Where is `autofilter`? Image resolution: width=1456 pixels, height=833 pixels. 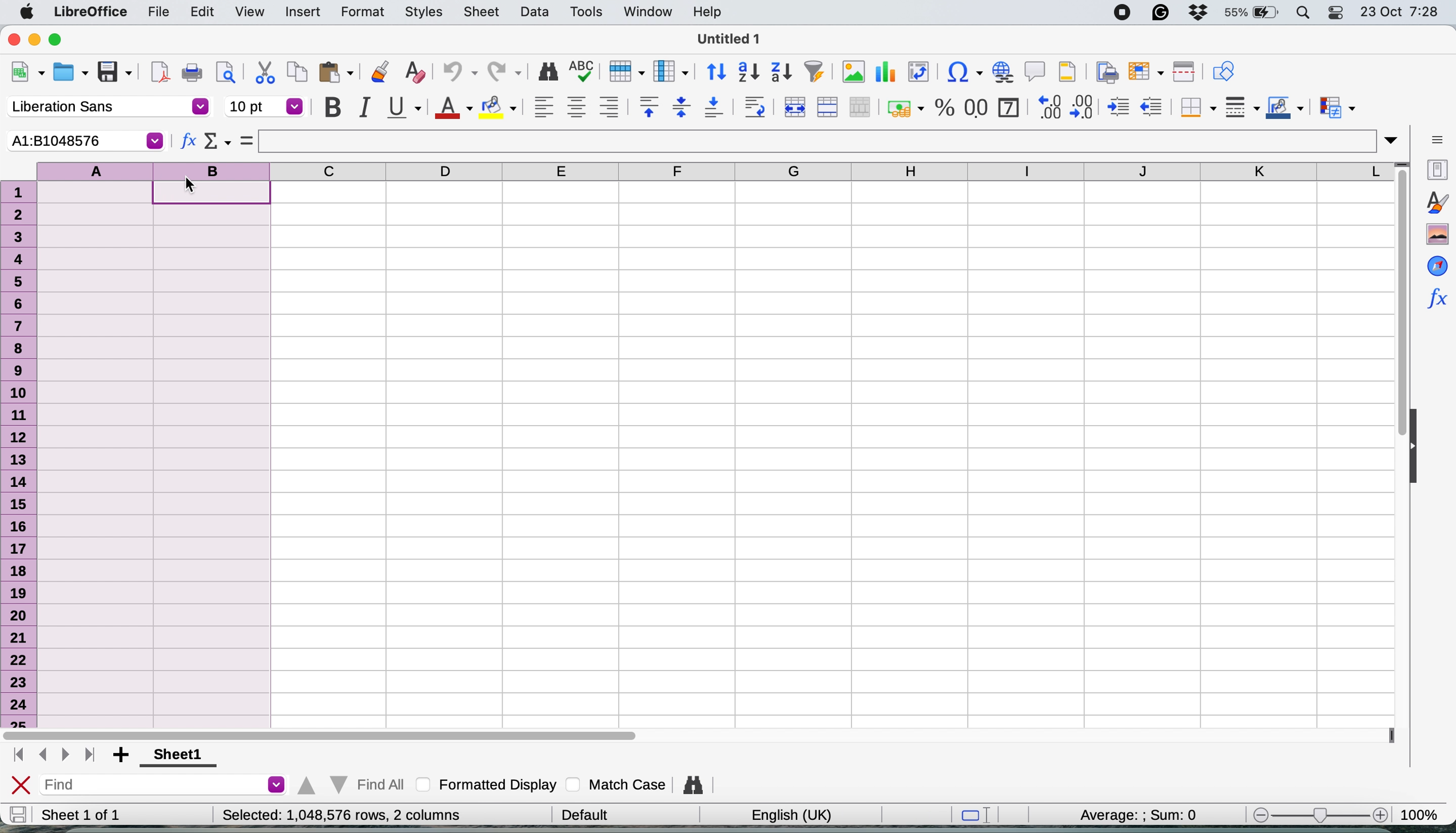 autofilter is located at coordinates (814, 71).